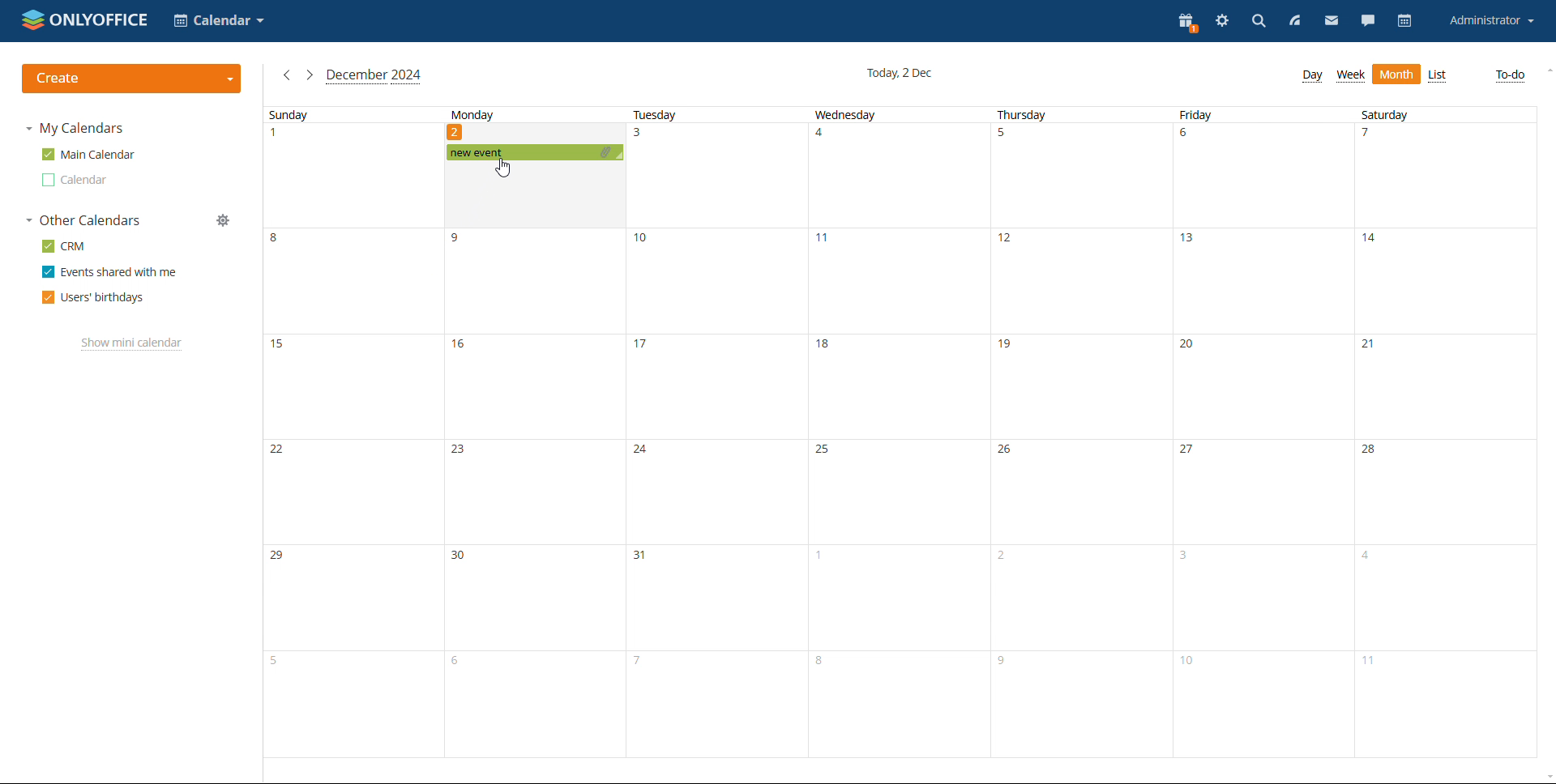 The height and width of the screenshot is (784, 1556). What do you see at coordinates (825, 346) in the screenshot?
I see `18` at bounding box center [825, 346].